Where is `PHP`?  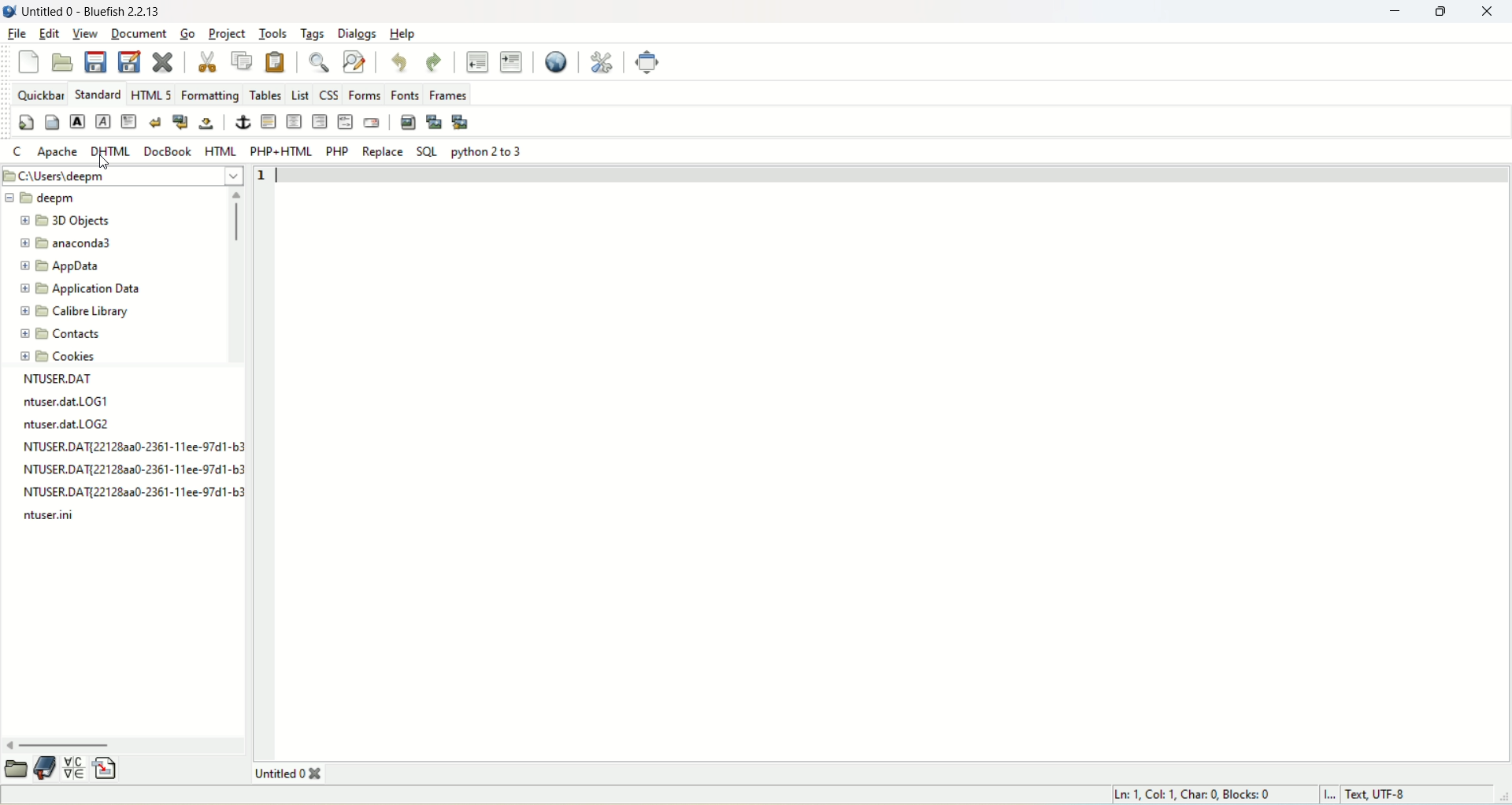
PHP is located at coordinates (337, 151).